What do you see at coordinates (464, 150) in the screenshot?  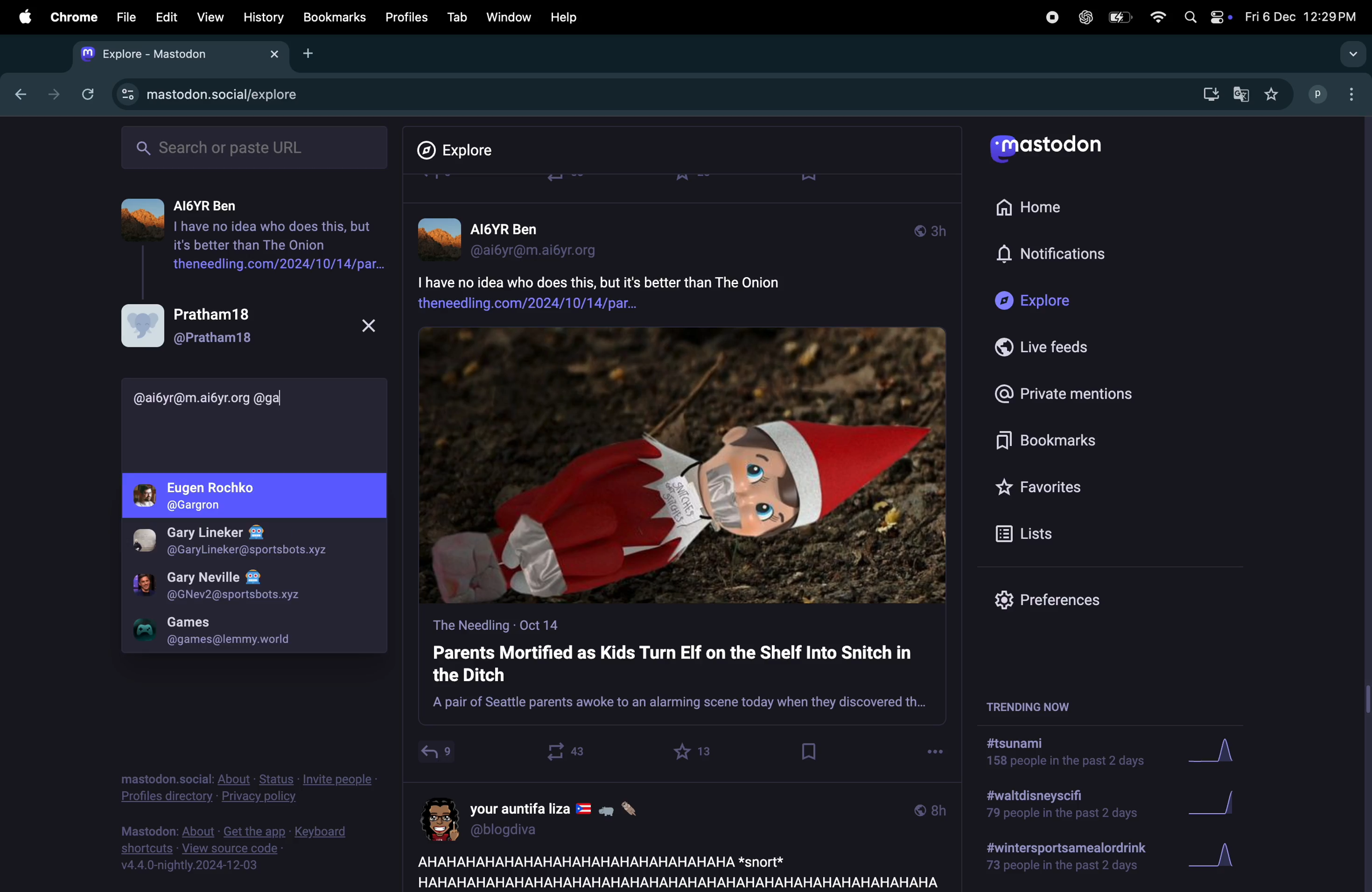 I see `Explore` at bounding box center [464, 150].